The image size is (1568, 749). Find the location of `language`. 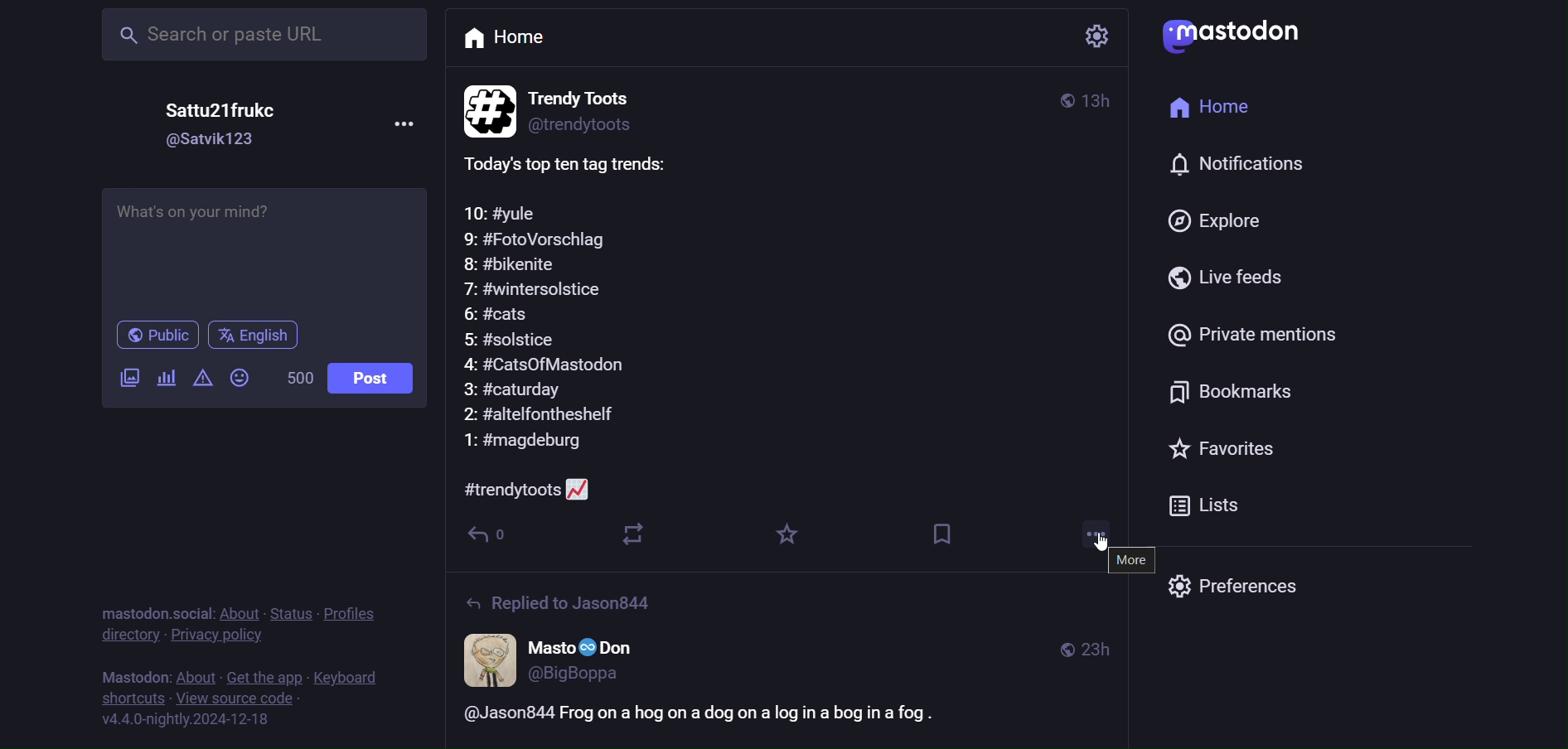

language is located at coordinates (270, 336).